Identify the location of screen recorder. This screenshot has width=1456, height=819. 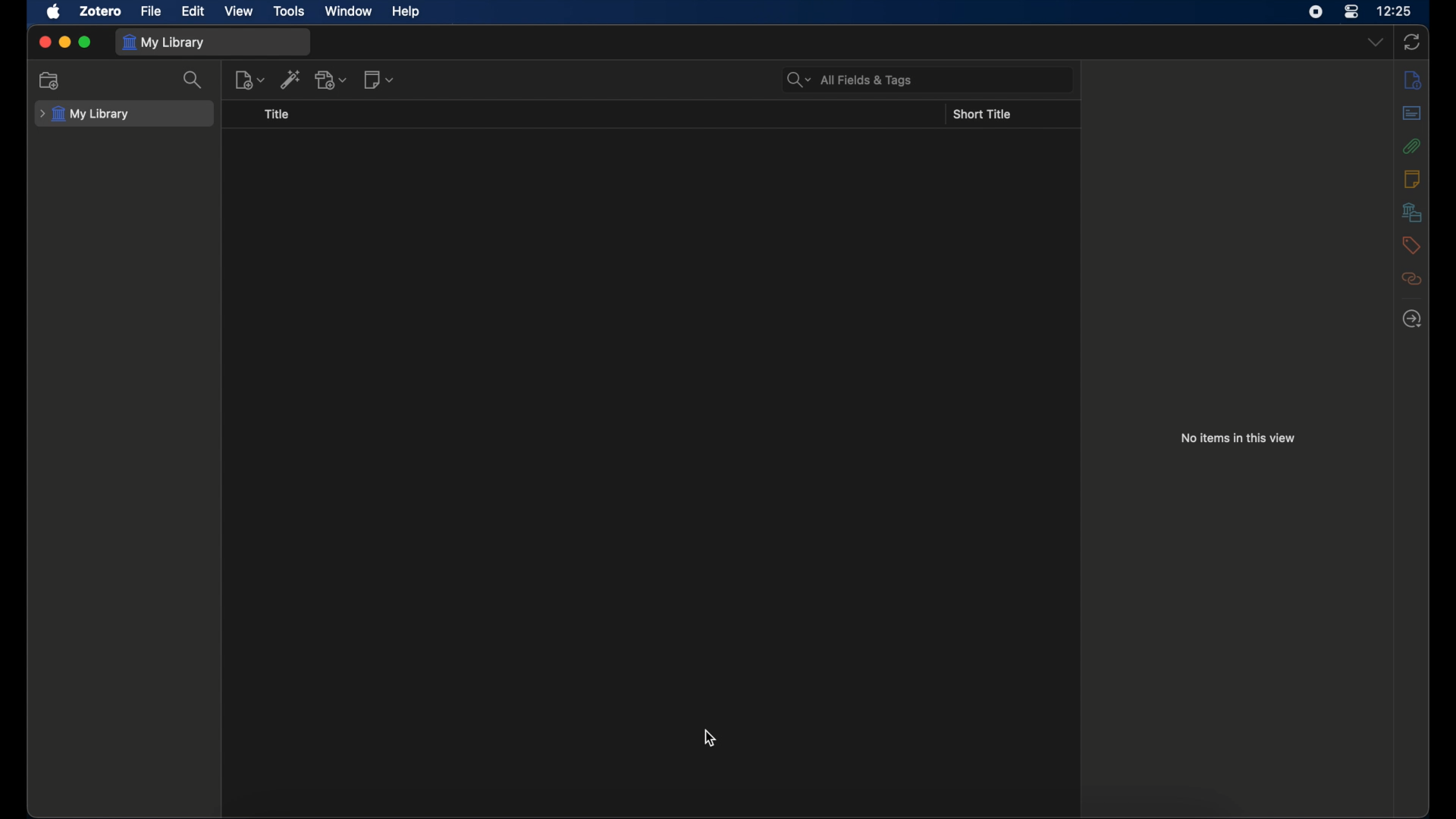
(1318, 11).